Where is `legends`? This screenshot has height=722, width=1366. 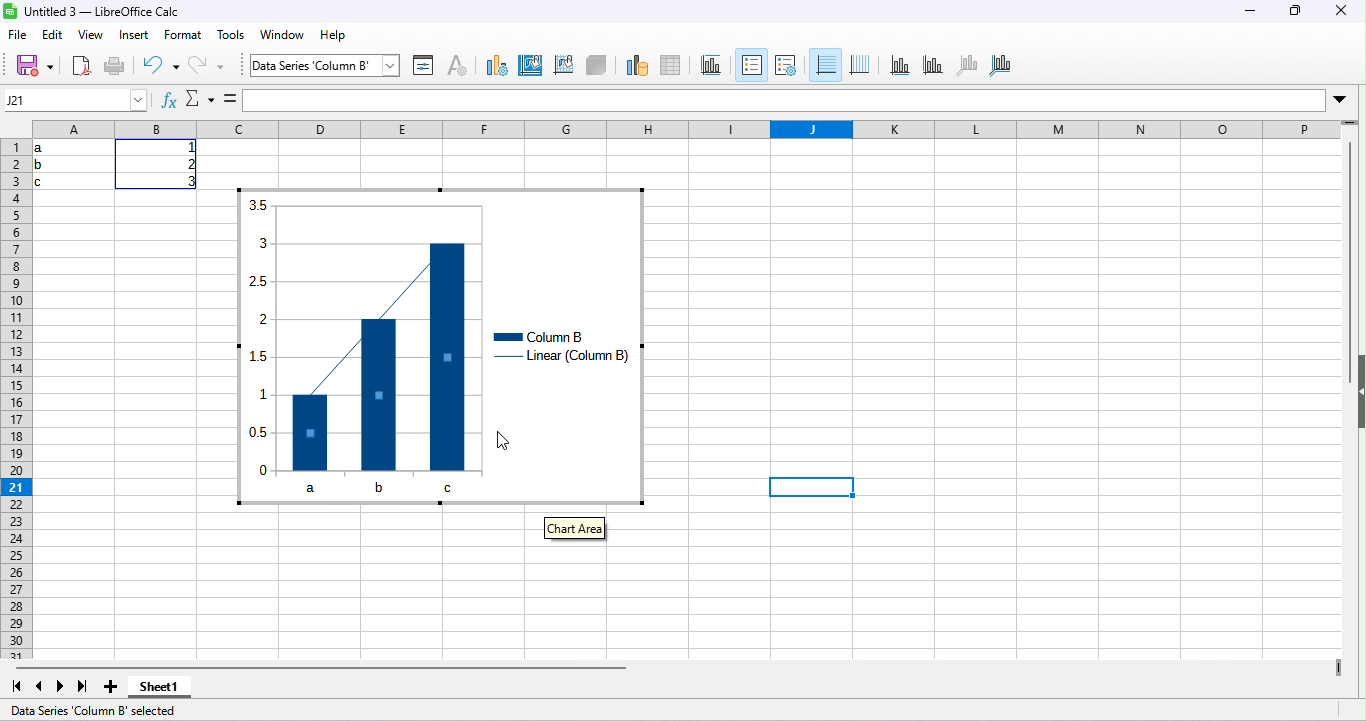
legends is located at coordinates (786, 64).